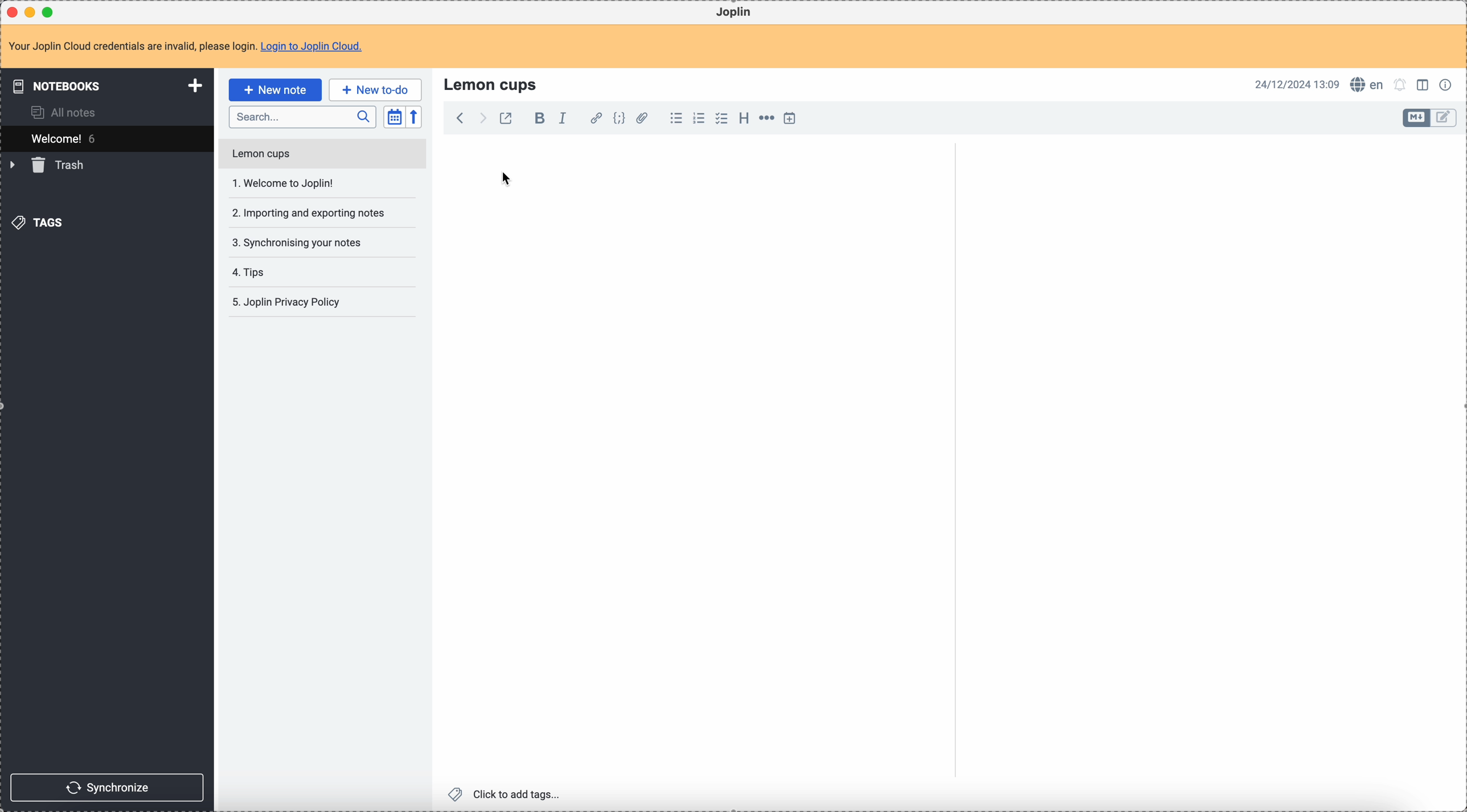  I want to click on date and hour, so click(1297, 84).